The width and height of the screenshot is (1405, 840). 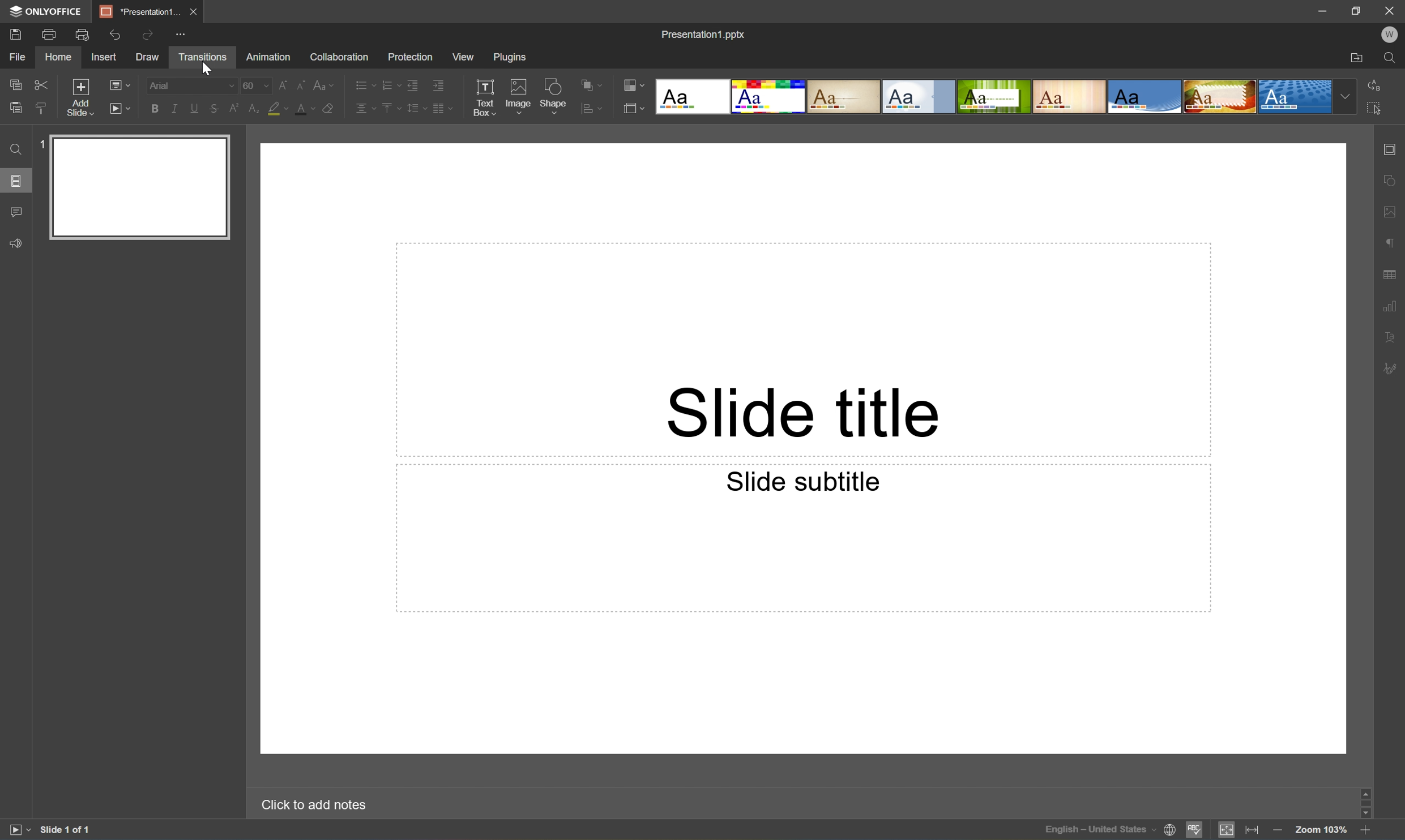 I want to click on Insert column, so click(x=442, y=109).